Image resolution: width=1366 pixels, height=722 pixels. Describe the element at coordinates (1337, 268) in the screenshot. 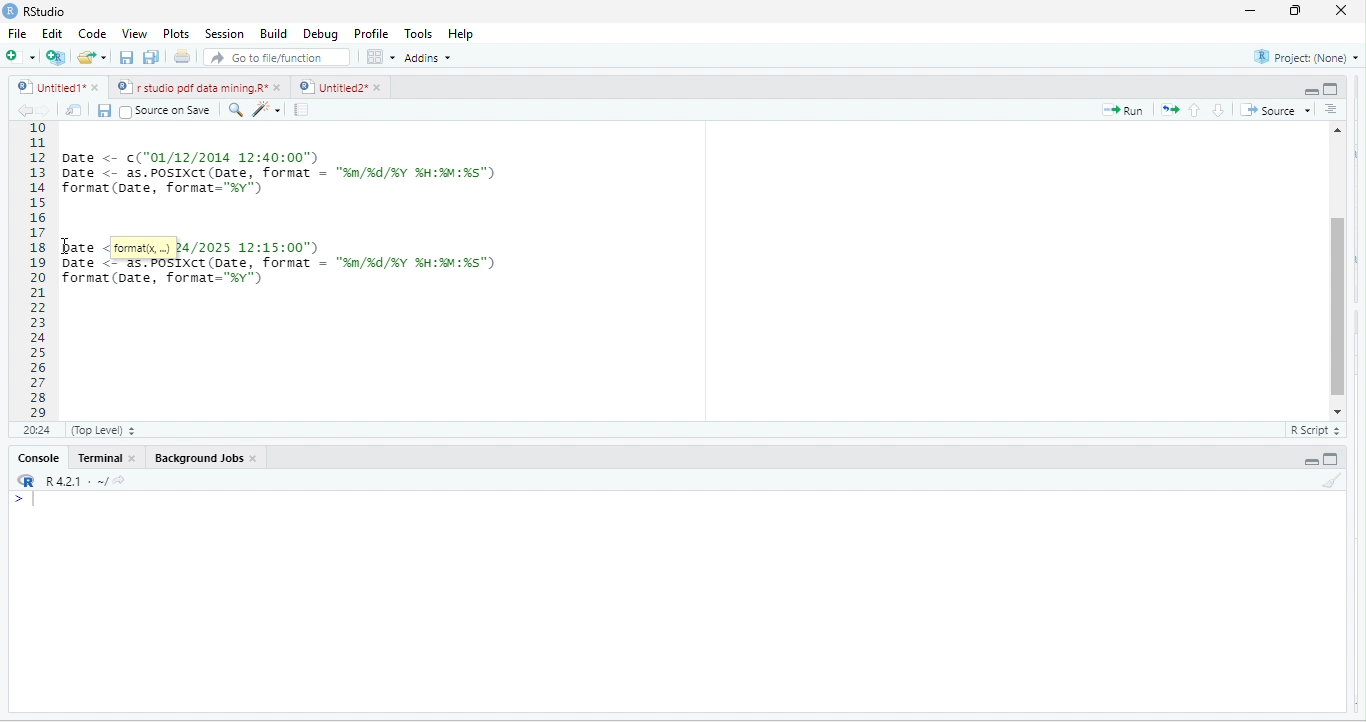

I see `vertical scroll bar` at that location.